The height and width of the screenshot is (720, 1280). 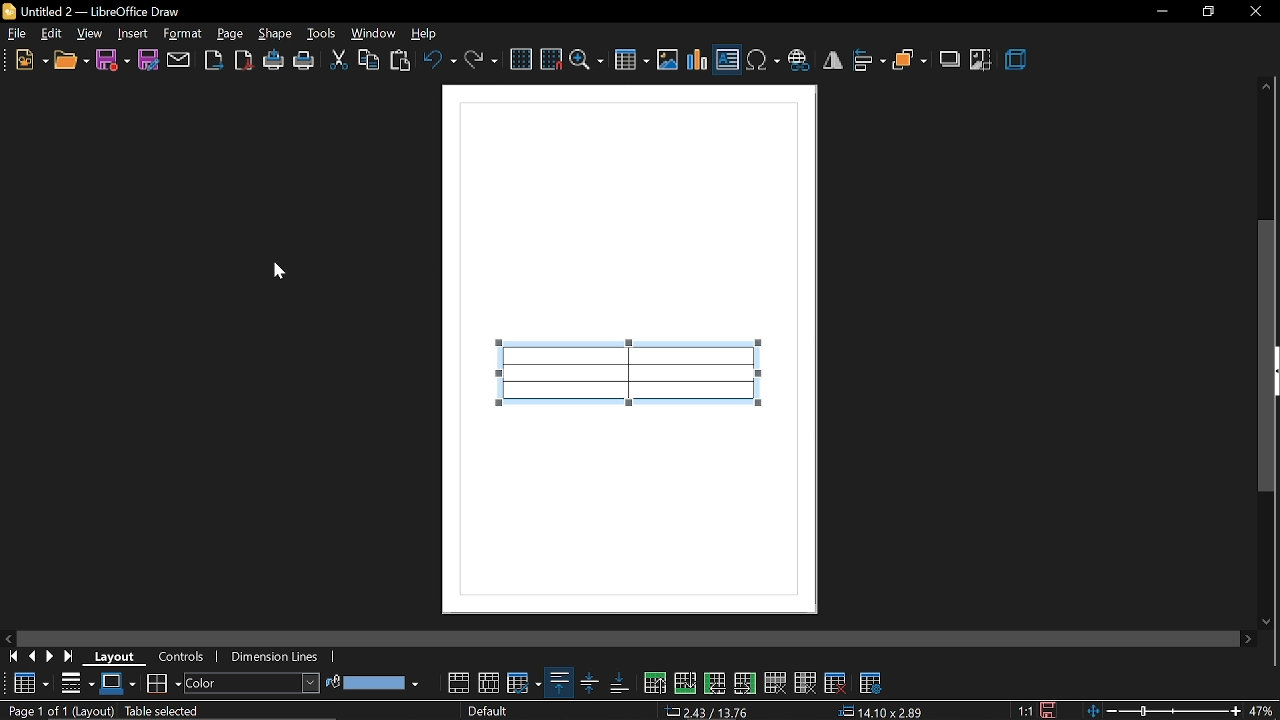 I want to click on insert table, so click(x=631, y=59).